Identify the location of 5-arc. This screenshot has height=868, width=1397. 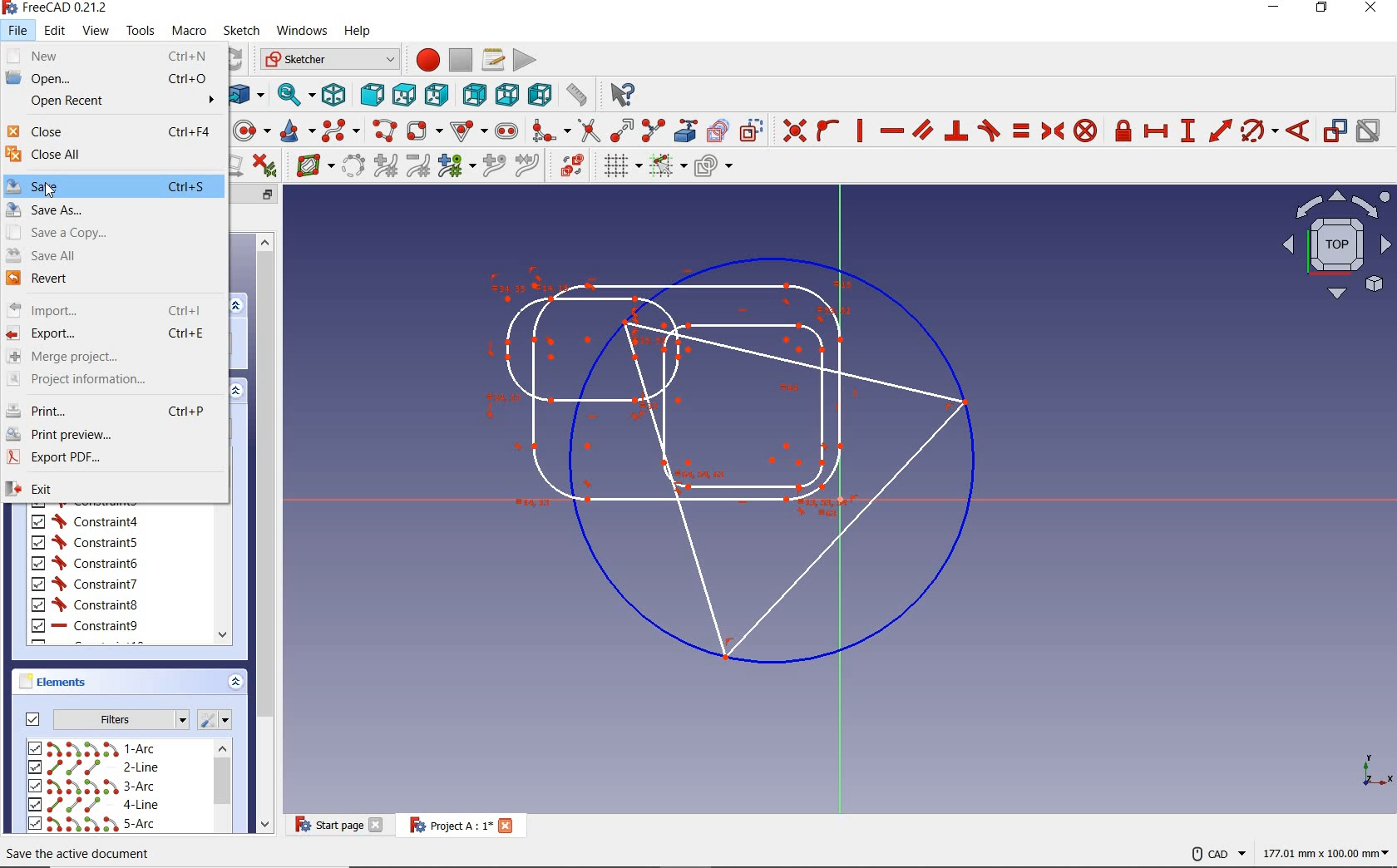
(91, 823).